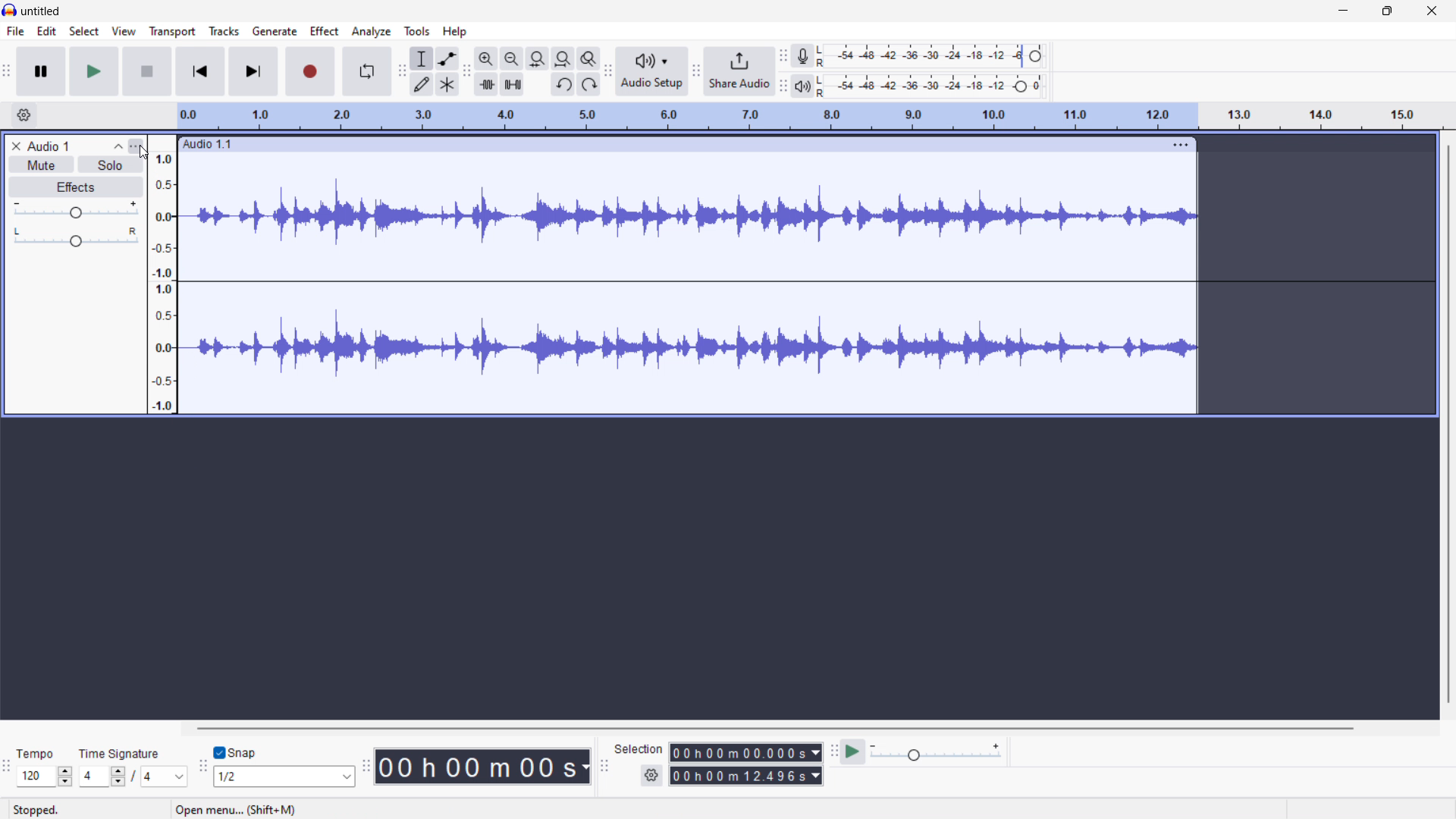 Image resolution: width=1456 pixels, height=819 pixels. Describe the element at coordinates (513, 85) in the screenshot. I see `silence audio selection` at that location.